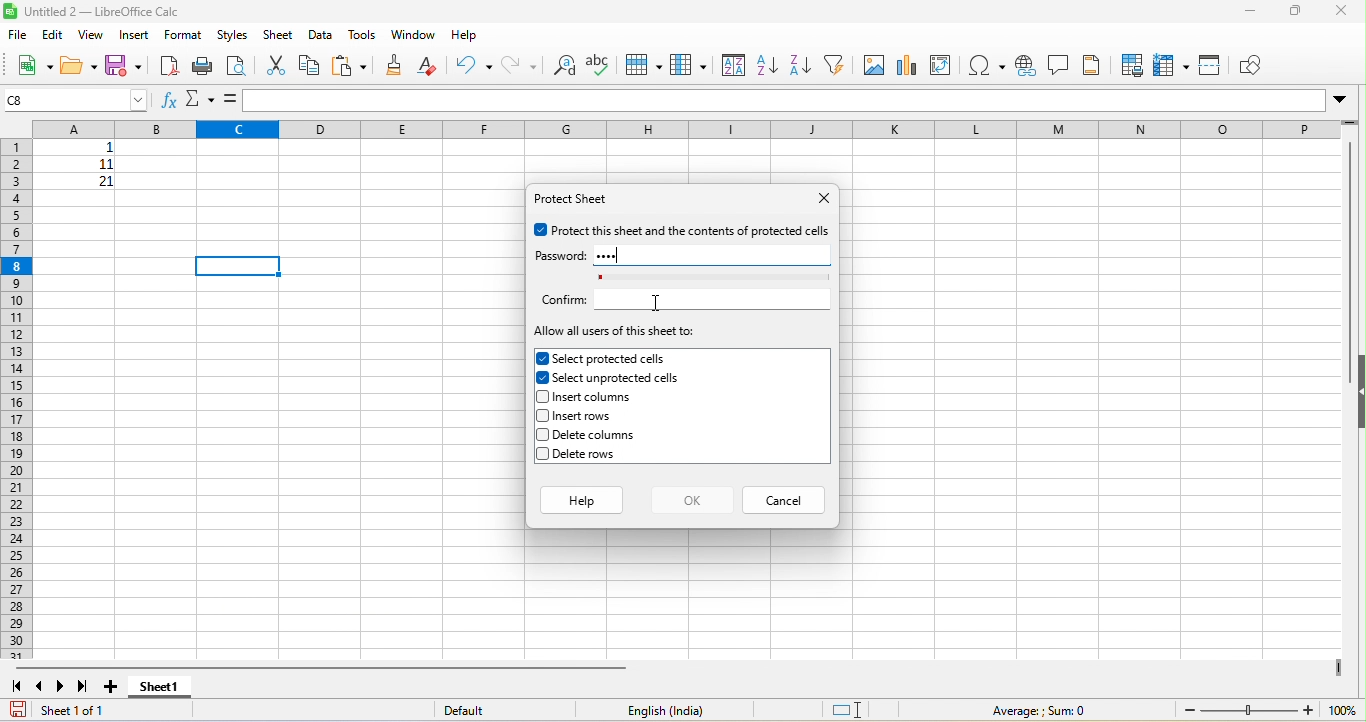 The width and height of the screenshot is (1366, 722). I want to click on previous, so click(40, 685).